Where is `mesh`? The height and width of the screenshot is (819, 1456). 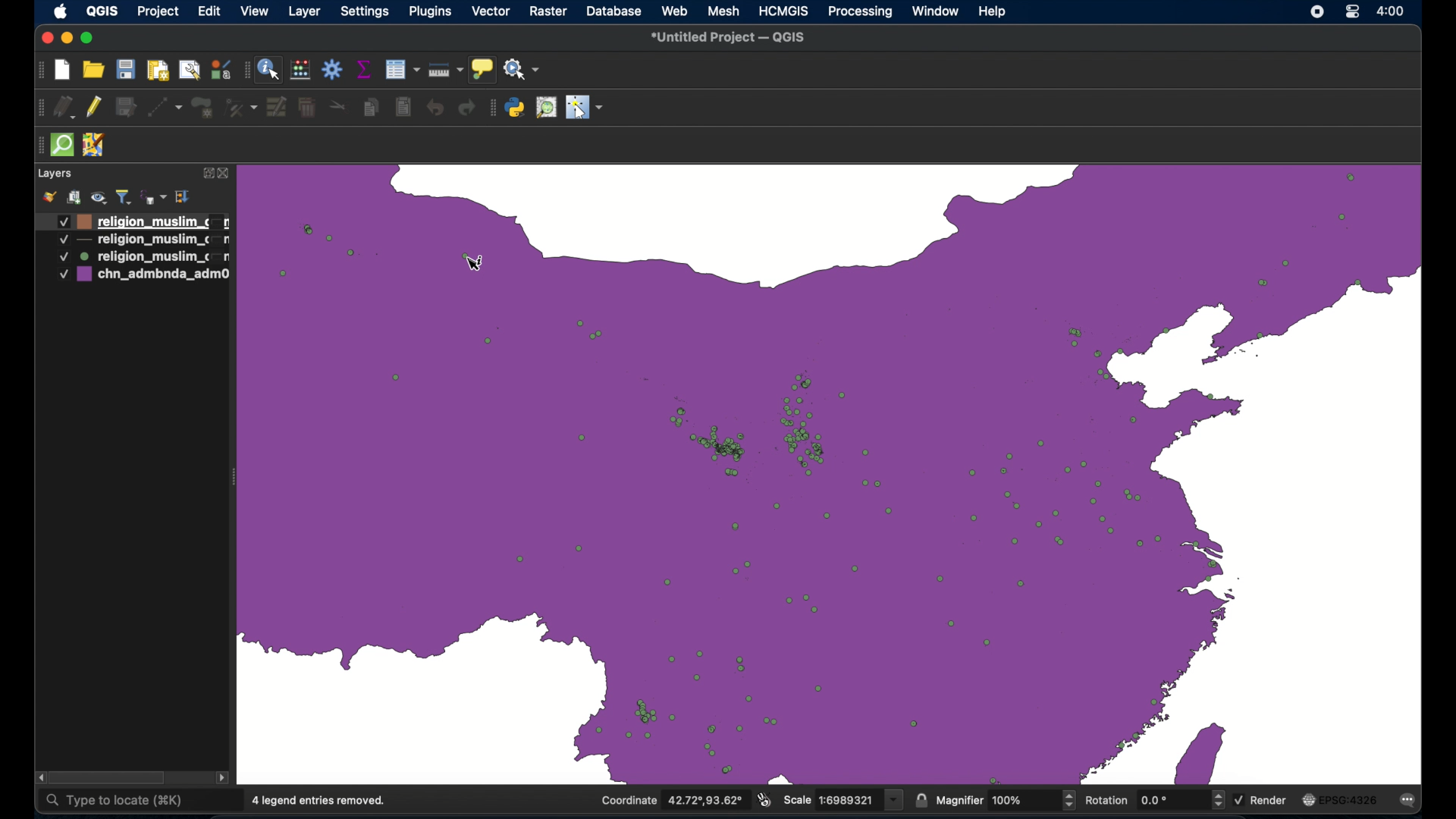 mesh is located at coordinates (724, 10).